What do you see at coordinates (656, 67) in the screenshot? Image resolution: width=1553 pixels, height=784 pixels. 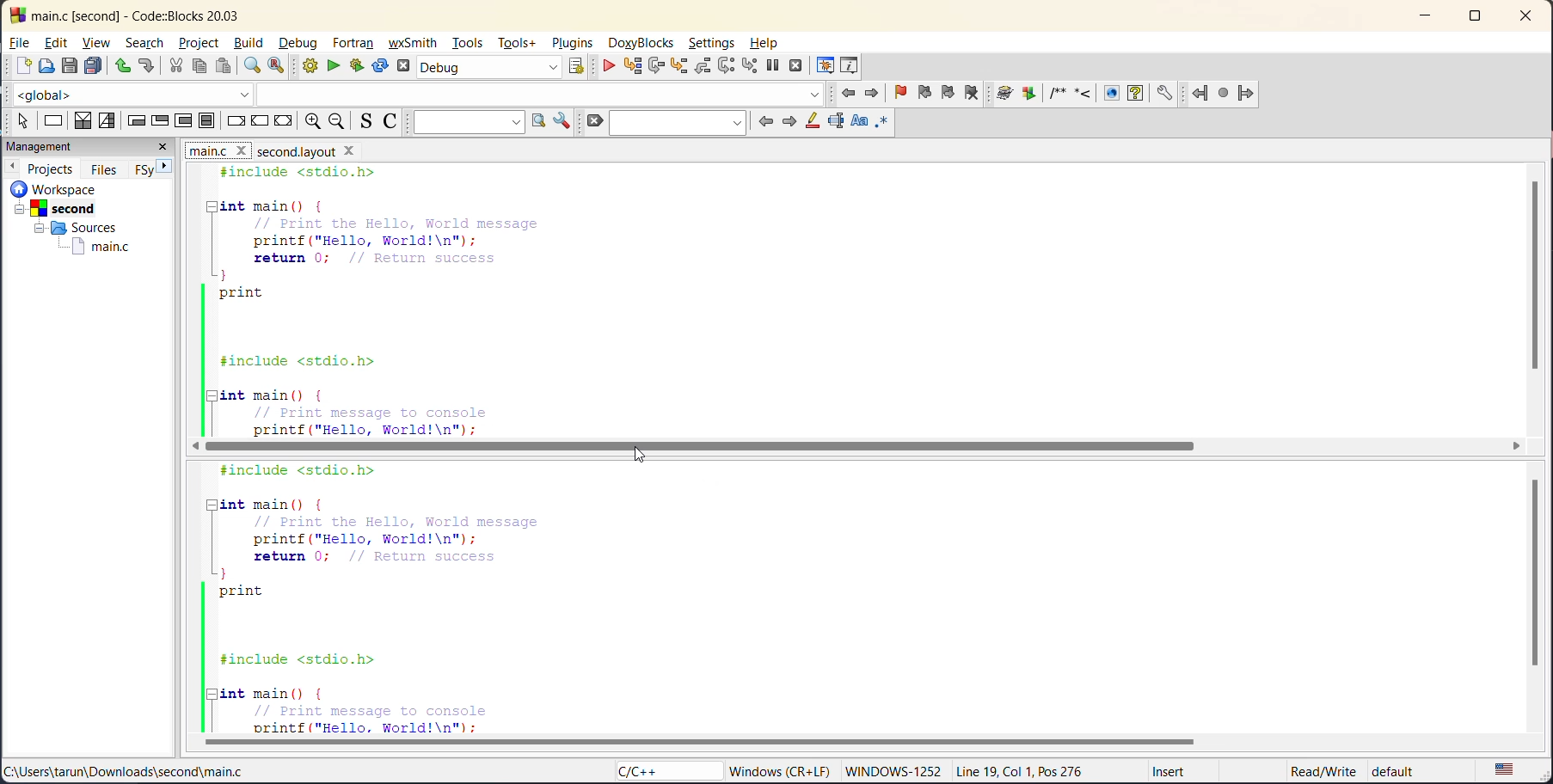 I see `next line` at bounding box center [656, 67].